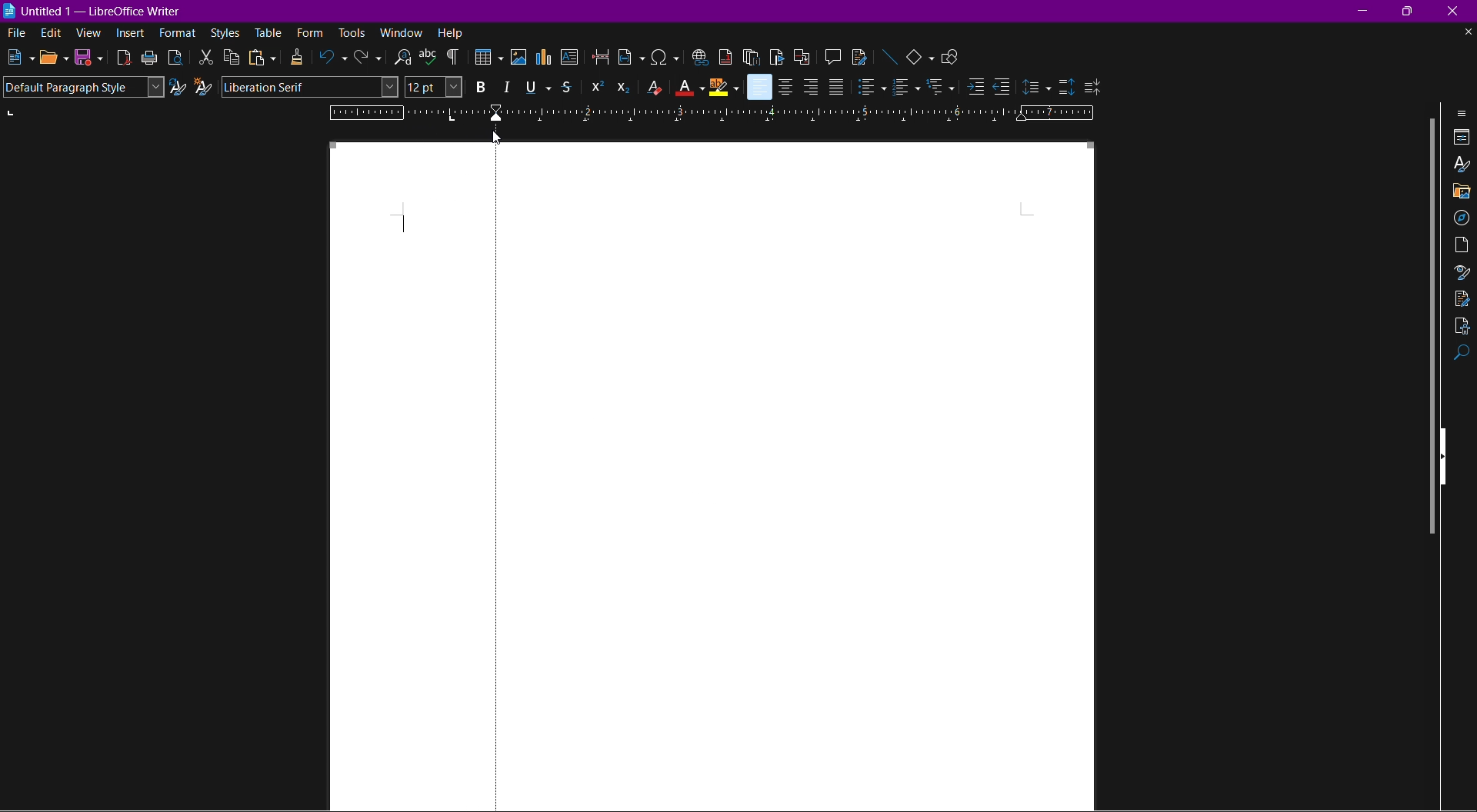  What do you see at coordinates (724, 87) in the screenshot?
I see `Character Highlighting Color` at bounding box center [724, 87].